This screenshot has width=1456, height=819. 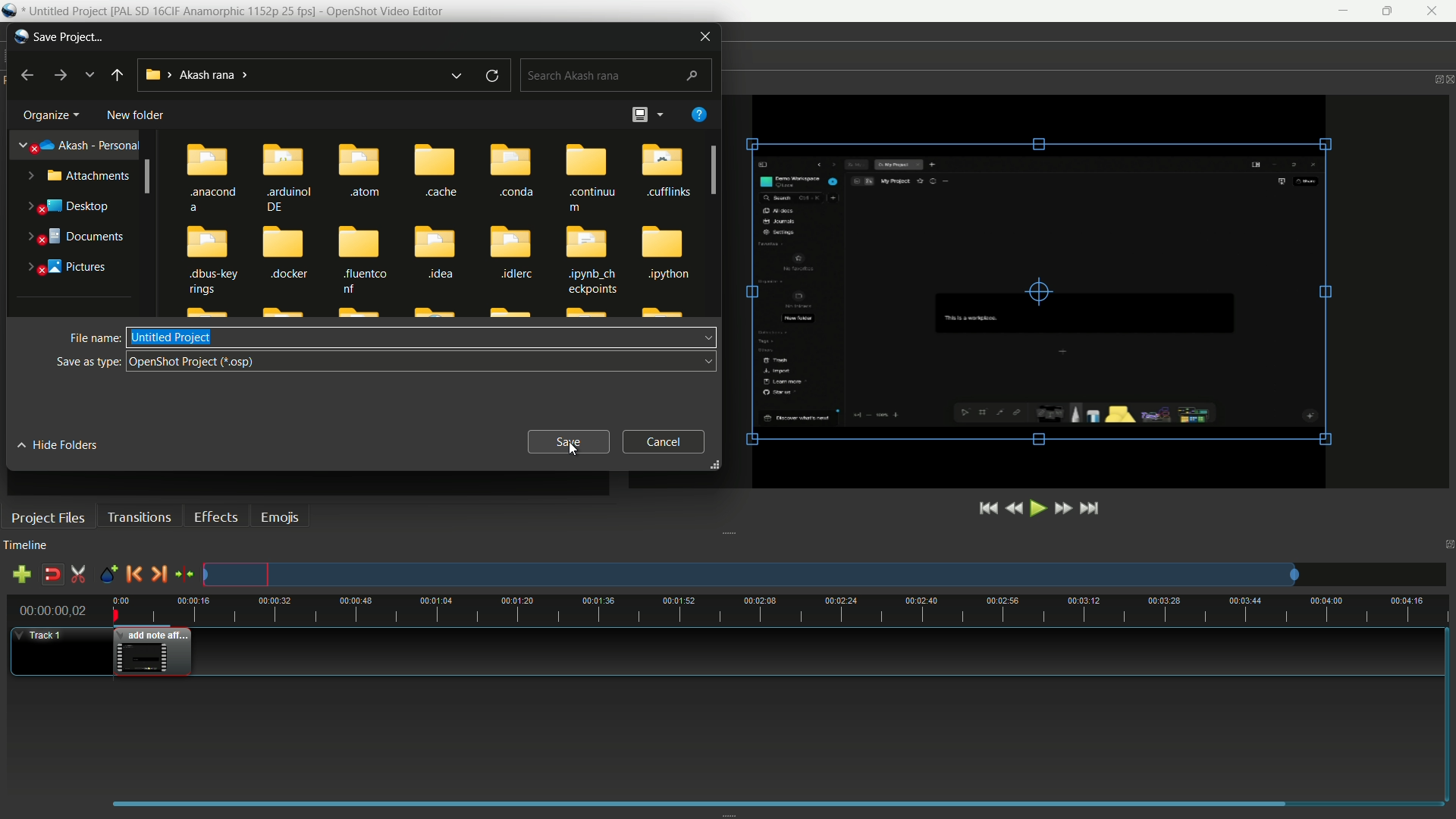 What do you see at coordinates (639, 115) in the screenshot?
I see `change layout` at bounding box center [639, 115].